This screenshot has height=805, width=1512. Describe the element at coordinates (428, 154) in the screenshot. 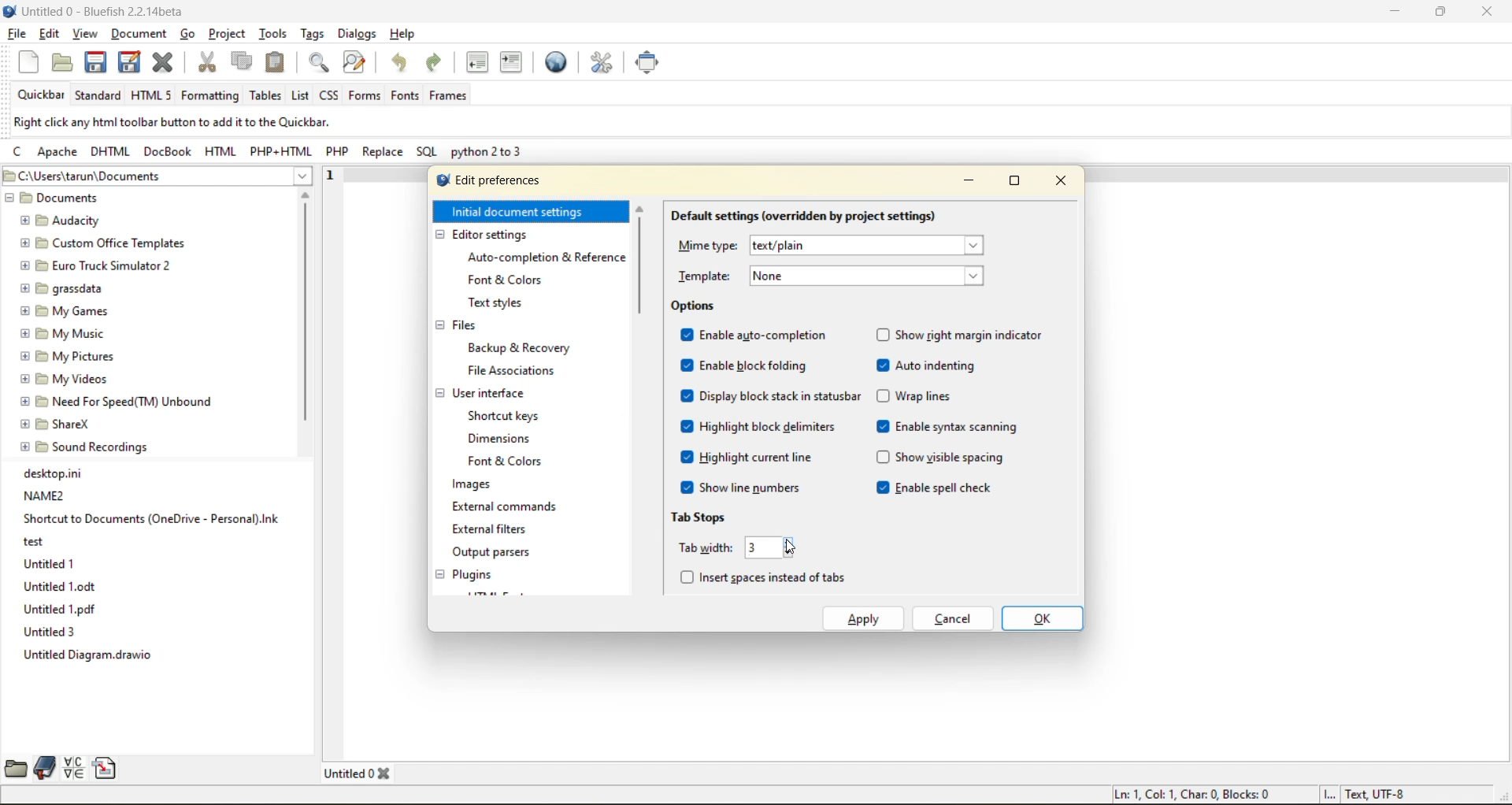

I see `sql` at that location.